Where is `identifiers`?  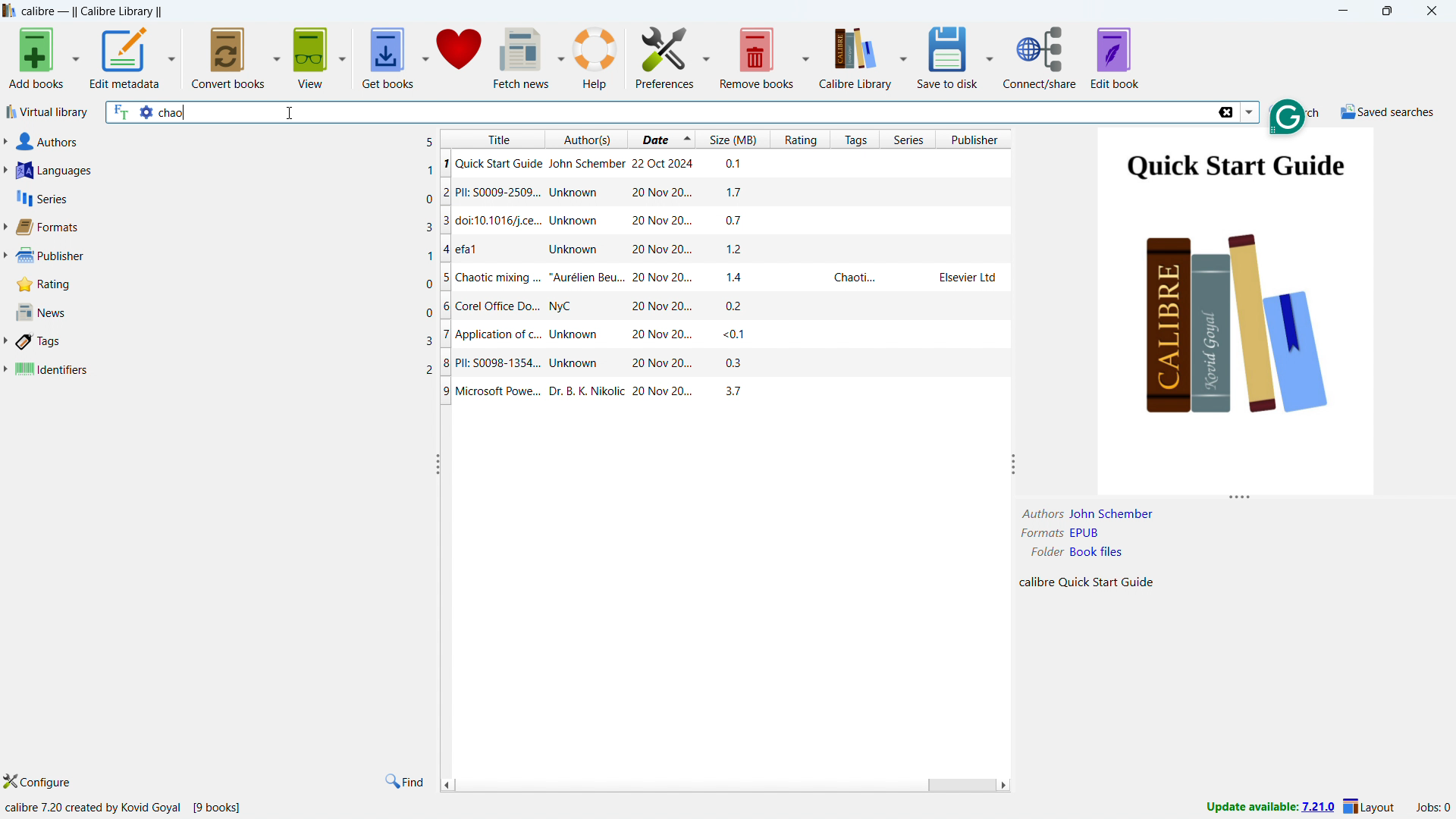 identifiers is located at coordinates (224, 370).